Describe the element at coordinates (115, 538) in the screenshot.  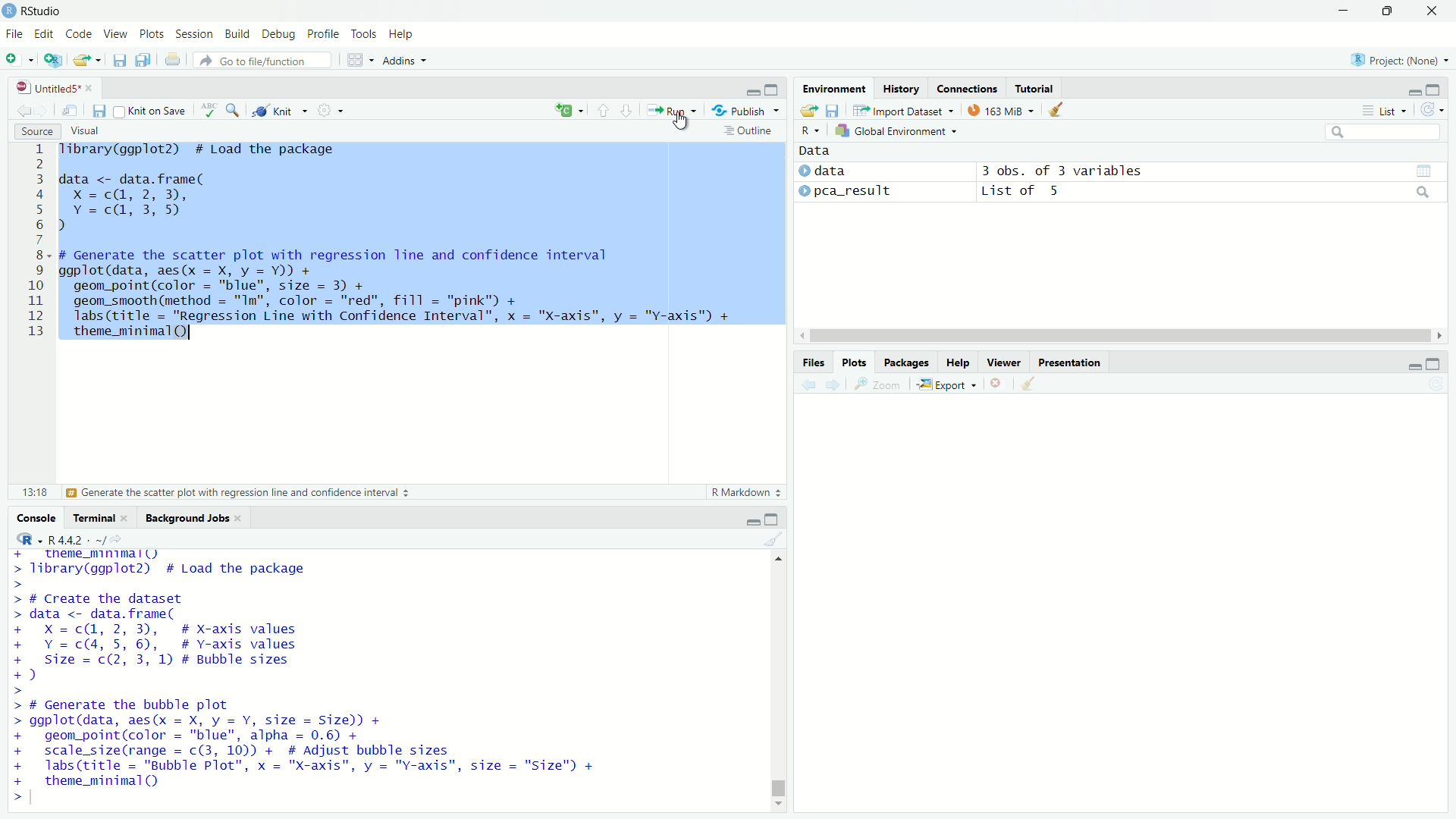
I see `View the current working current directory` at that location.